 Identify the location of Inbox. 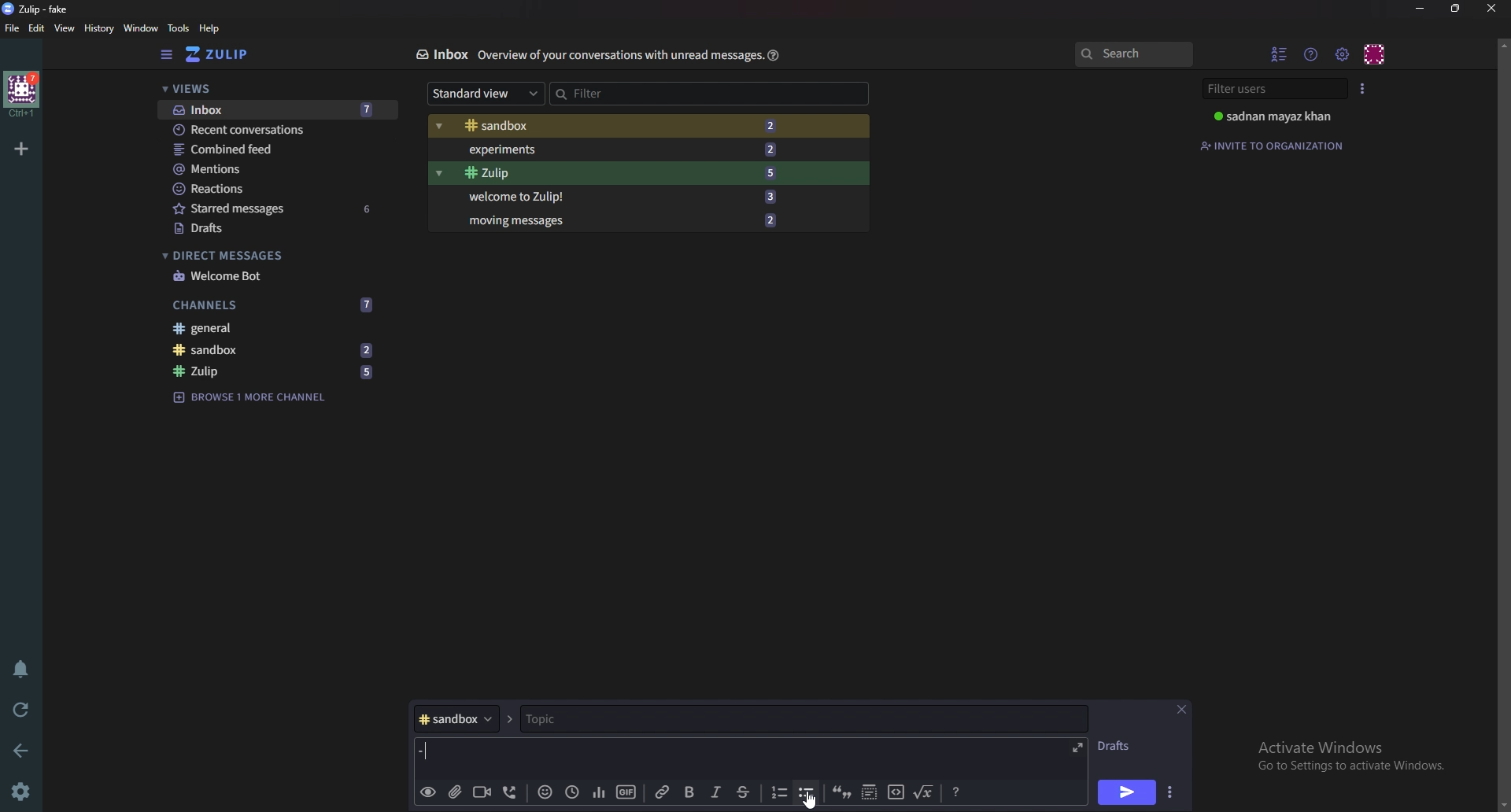
(276, 111).